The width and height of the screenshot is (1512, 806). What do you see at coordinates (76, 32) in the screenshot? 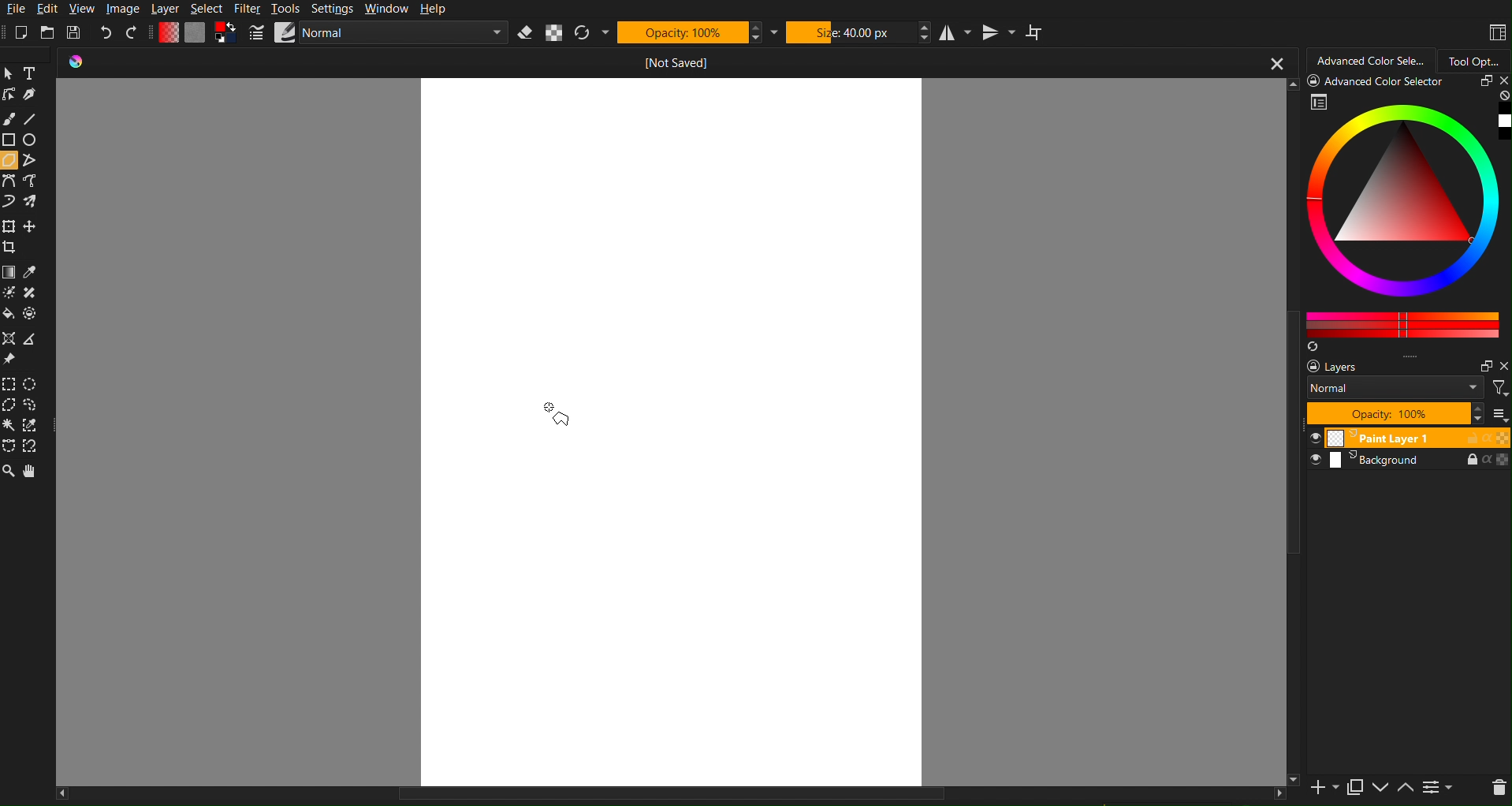
I see `Save` at bounding box center [76, 32].